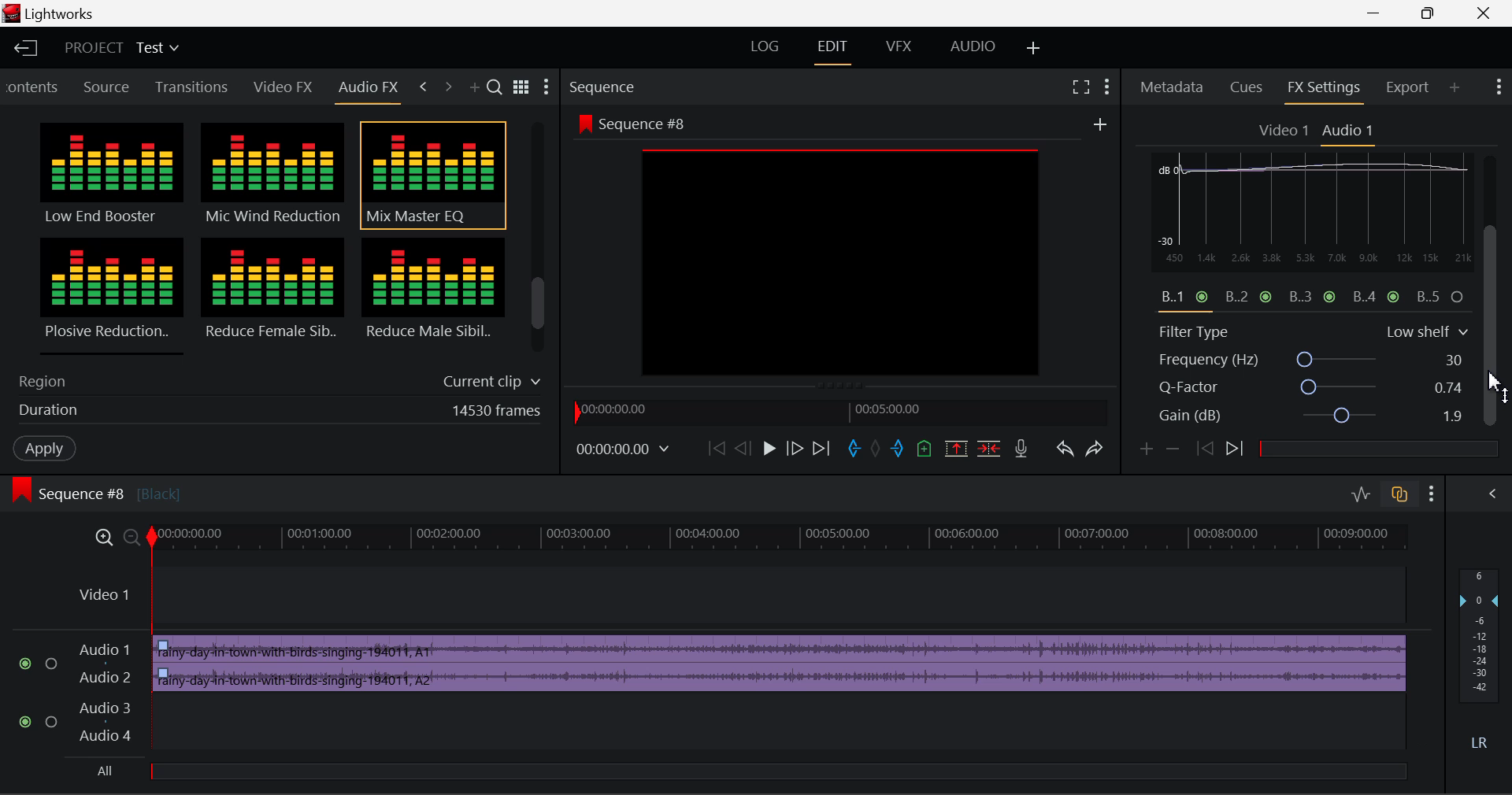  What do you see at coordinates (794, 449) in the screenshot?
I see `Go Forward` at bounding box center [794, 449].